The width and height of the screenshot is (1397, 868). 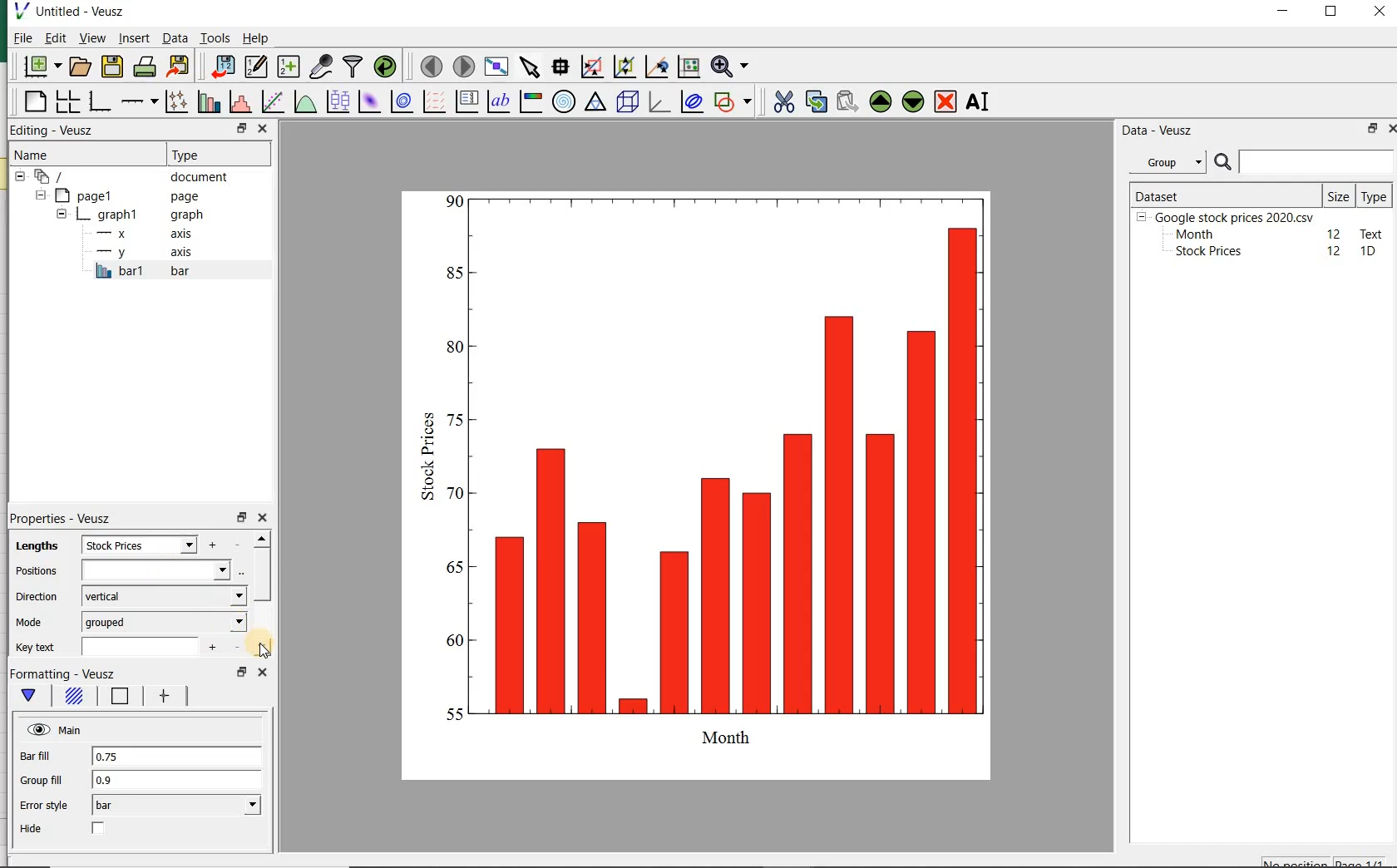 I want to click on cut the selected widget, so click(x=785, y=104).